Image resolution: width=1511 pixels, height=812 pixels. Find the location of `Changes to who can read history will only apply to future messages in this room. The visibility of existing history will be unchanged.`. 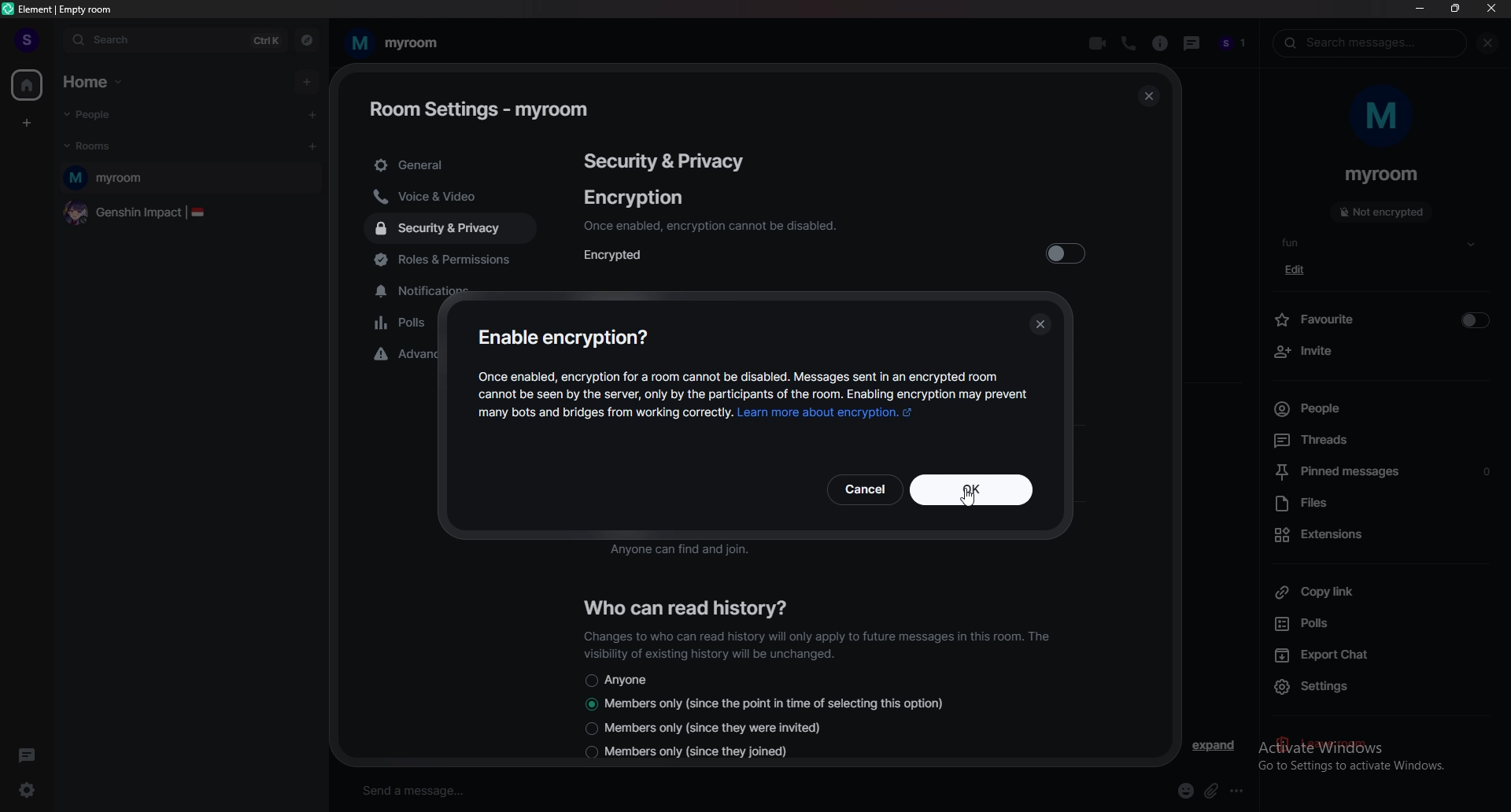

Changes to who can read history will only apply to future messages in this room. The visibility of existing history will be unchanged. is located at coordinates (818, 643).